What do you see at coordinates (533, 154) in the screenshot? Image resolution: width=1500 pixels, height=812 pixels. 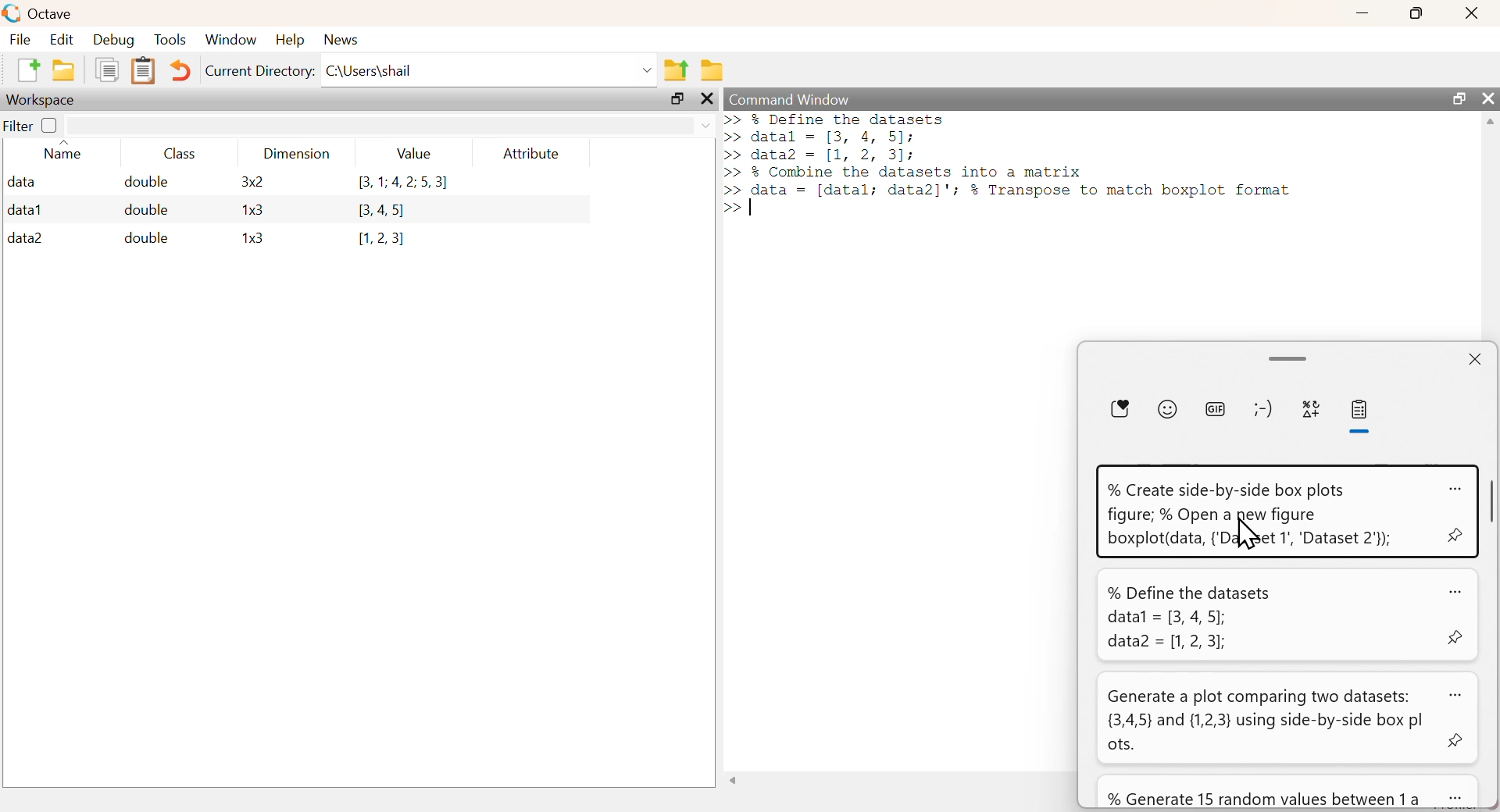 I see `Attribute` at bounding box center [533, 154].